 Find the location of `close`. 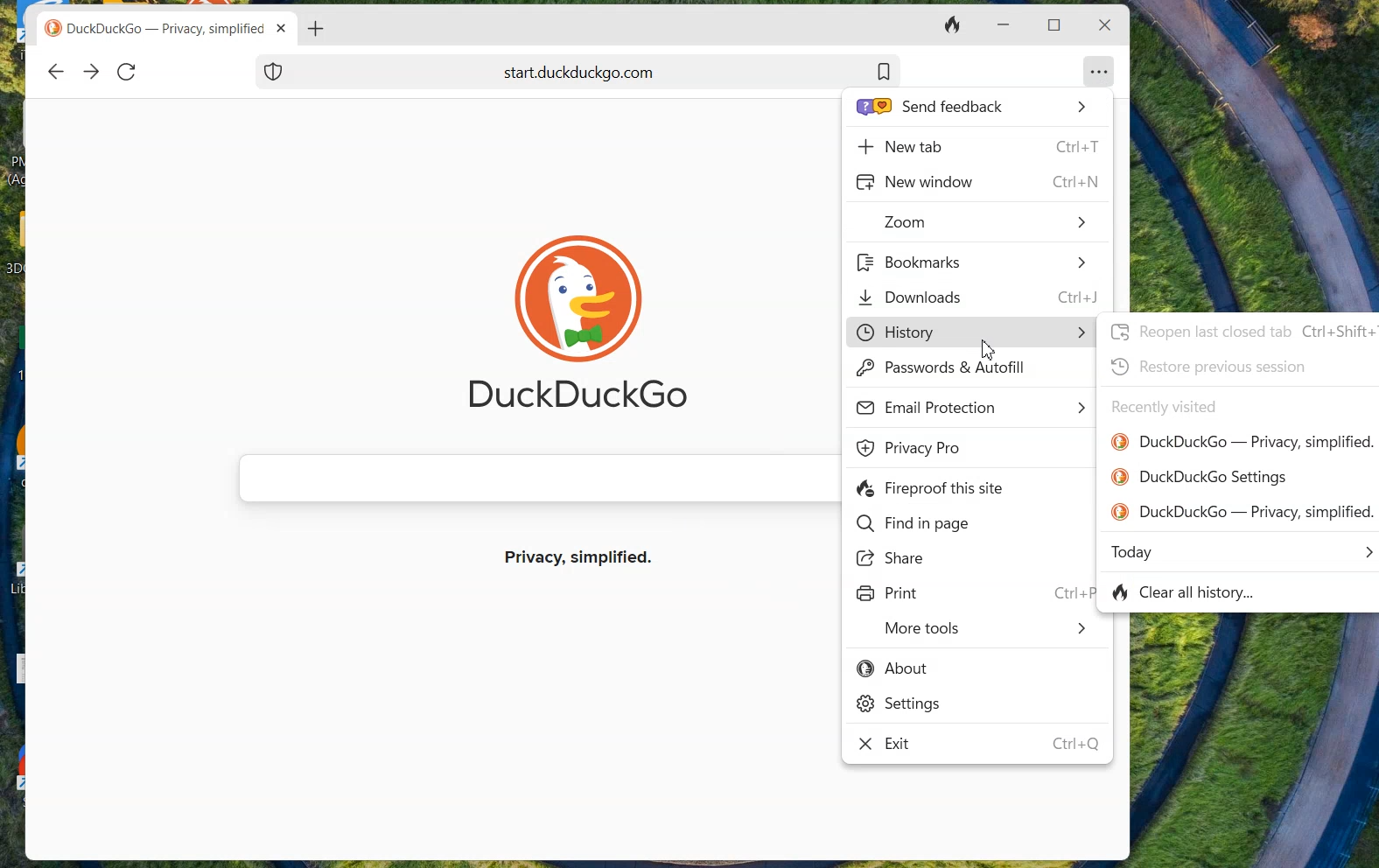

close is located at coordinates (1102, 25).